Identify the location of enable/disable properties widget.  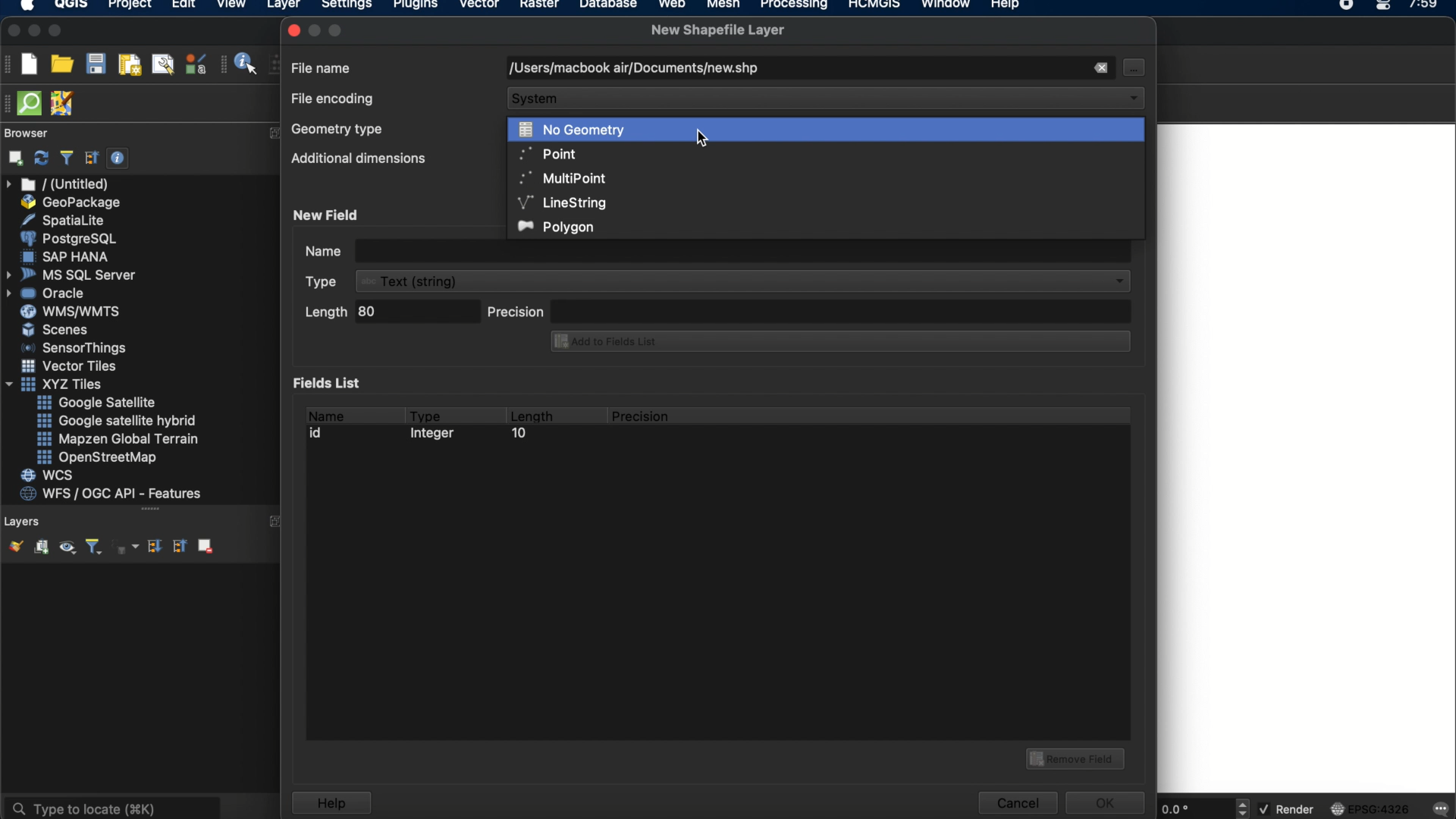
(118, 158).